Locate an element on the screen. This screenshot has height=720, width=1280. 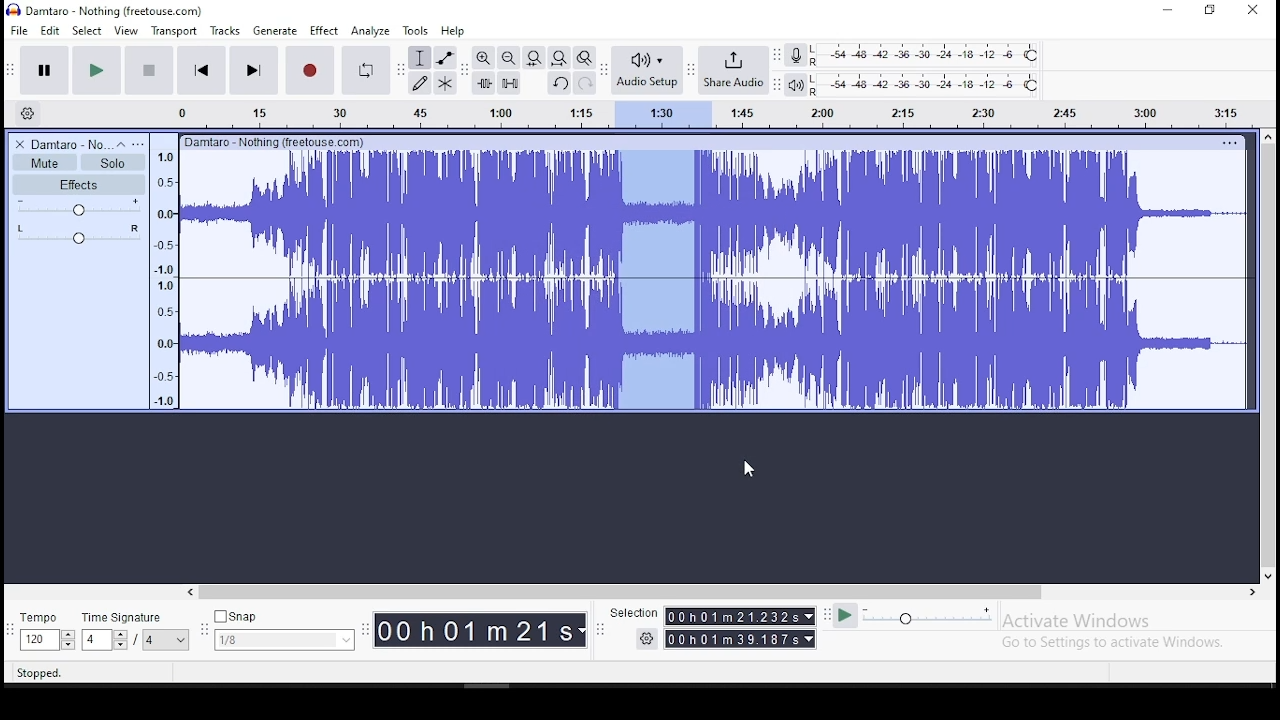
zoom out is located at coordinates (508, 57).